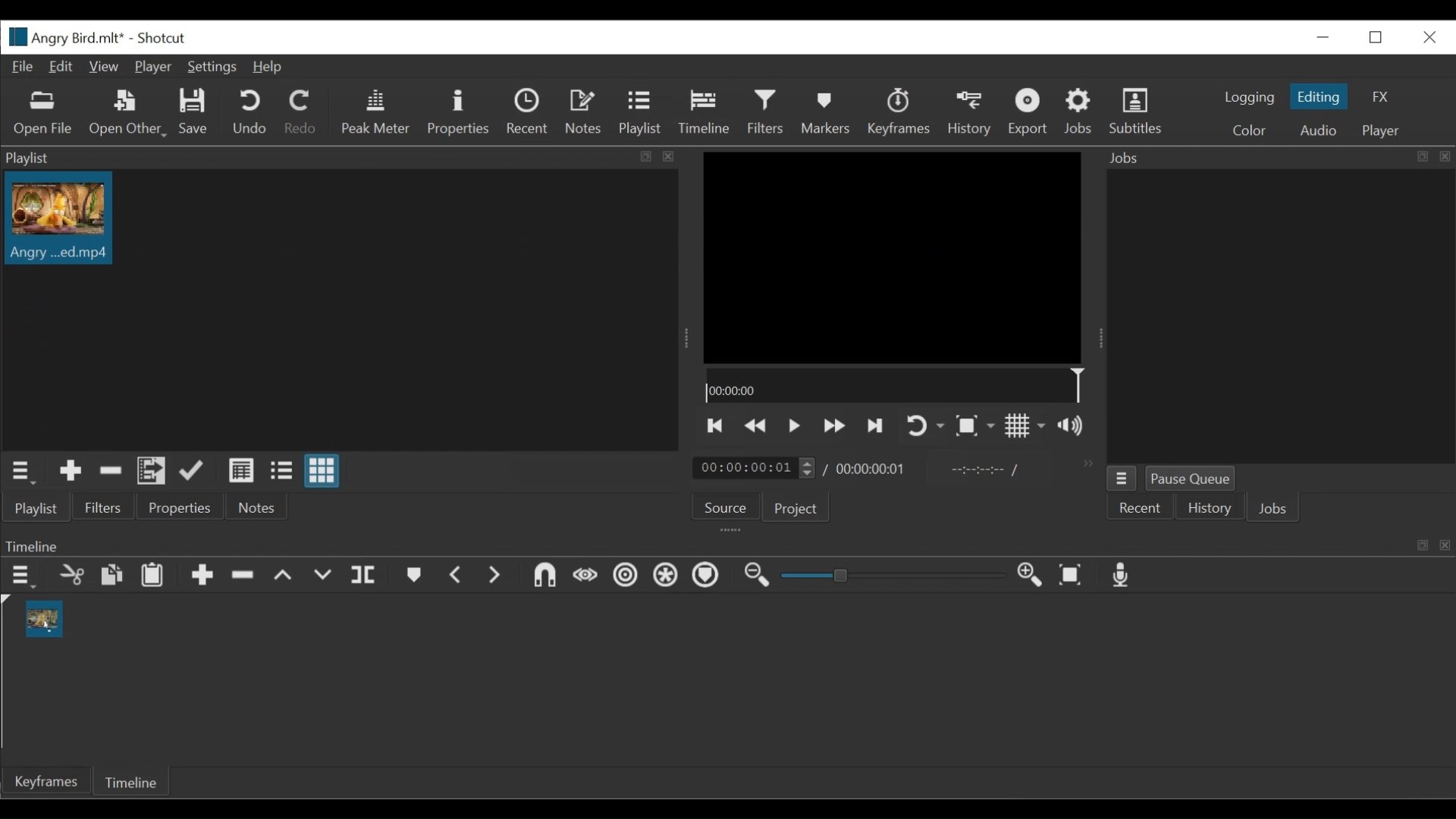 This screenshot has height=819, width=1456. Describe the element at coordinates (527, 113) in the screenshot. I see `Recent` at that location.